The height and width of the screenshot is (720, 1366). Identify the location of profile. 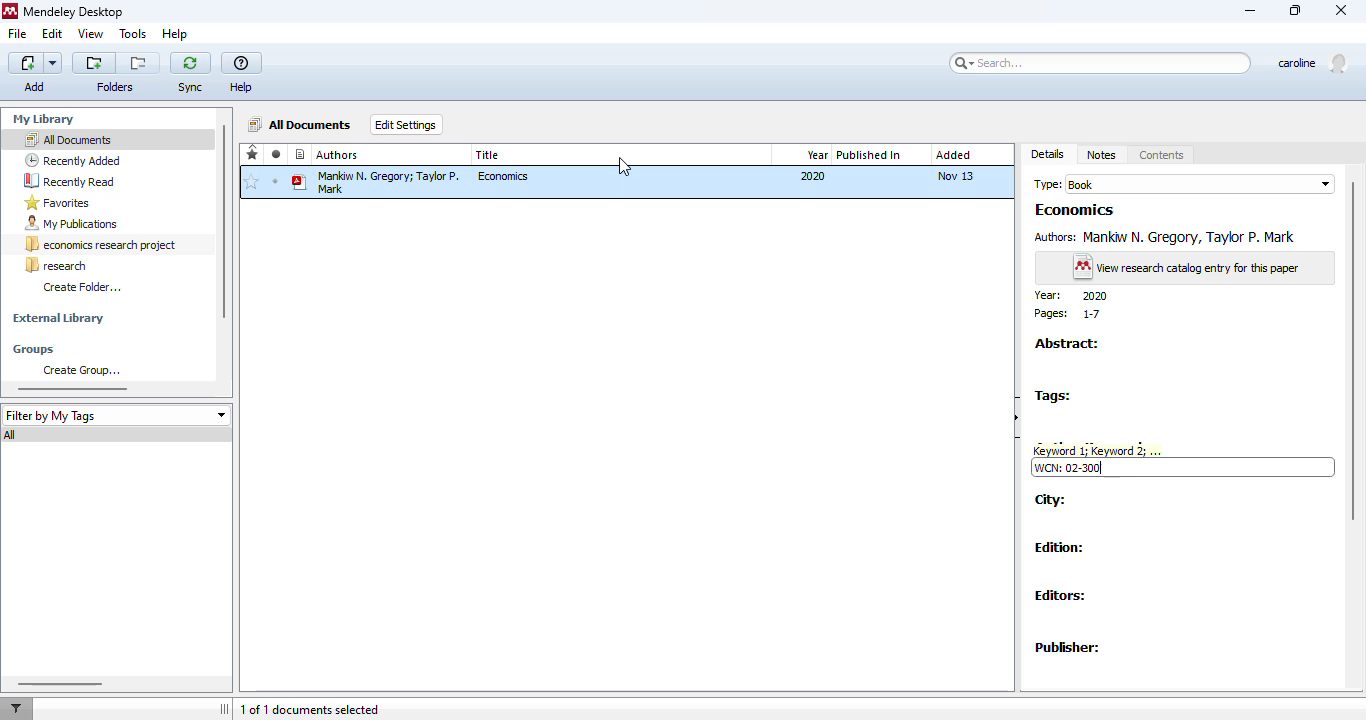
(1316, 62).